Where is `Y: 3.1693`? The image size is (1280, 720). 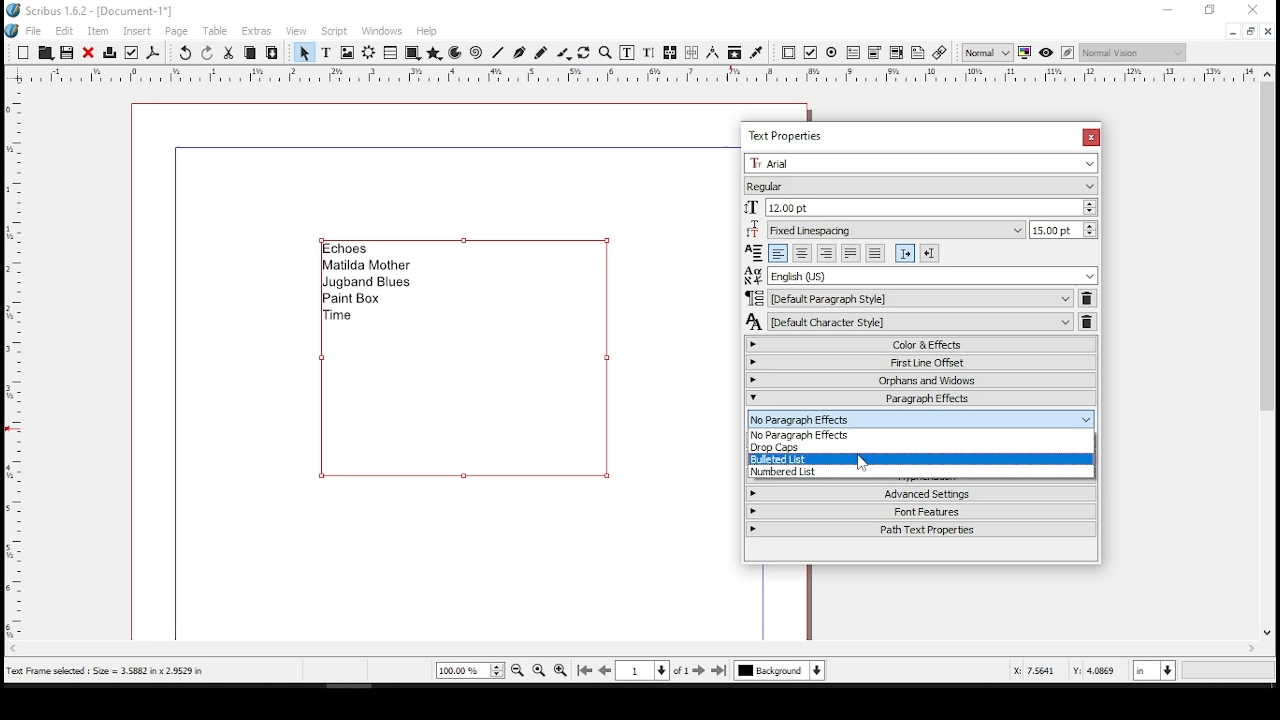
Y: 3.1693 is located at coordinates (1095, 671).